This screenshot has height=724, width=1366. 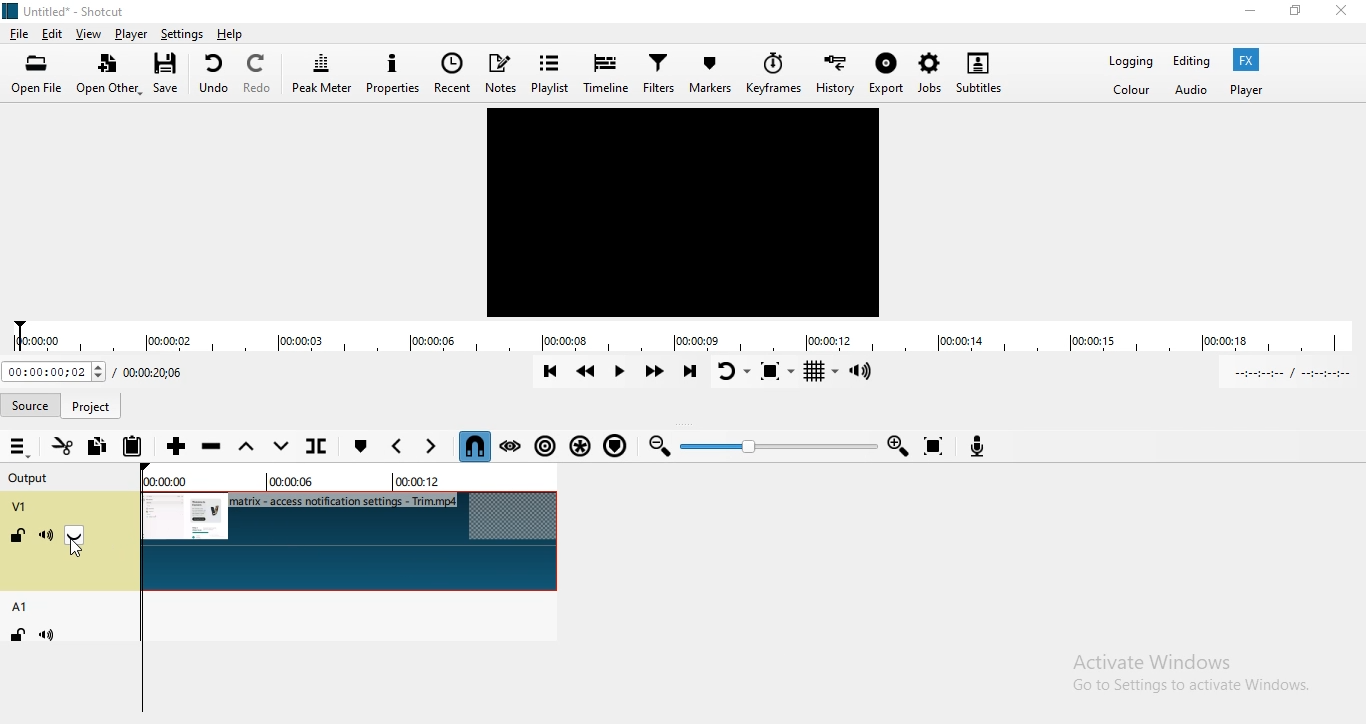 What do you see at coordinates (153, 374) in the screenshot?
I see `total duration` at bounding box center [153, 374].